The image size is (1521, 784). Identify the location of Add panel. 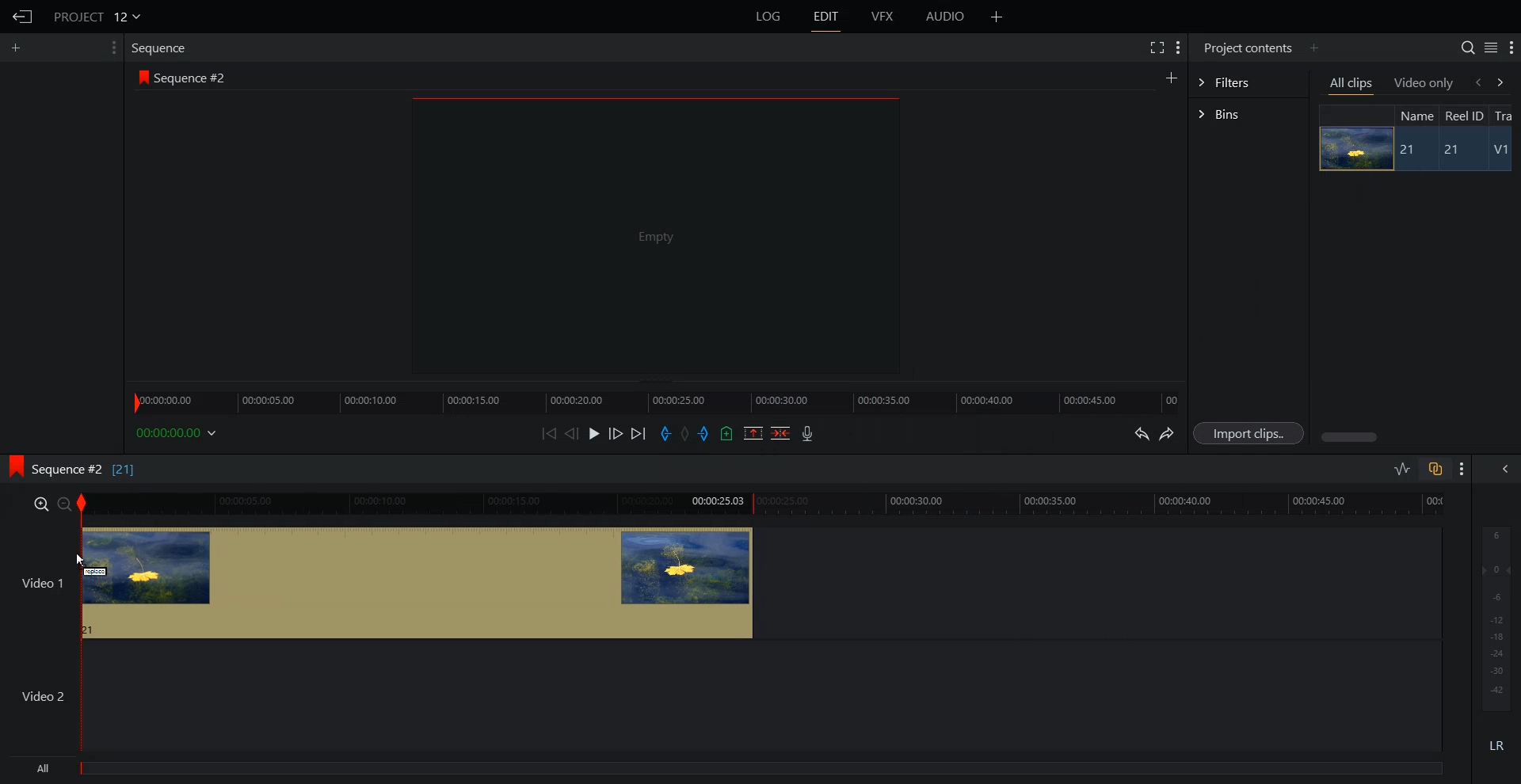
(1313, 48).